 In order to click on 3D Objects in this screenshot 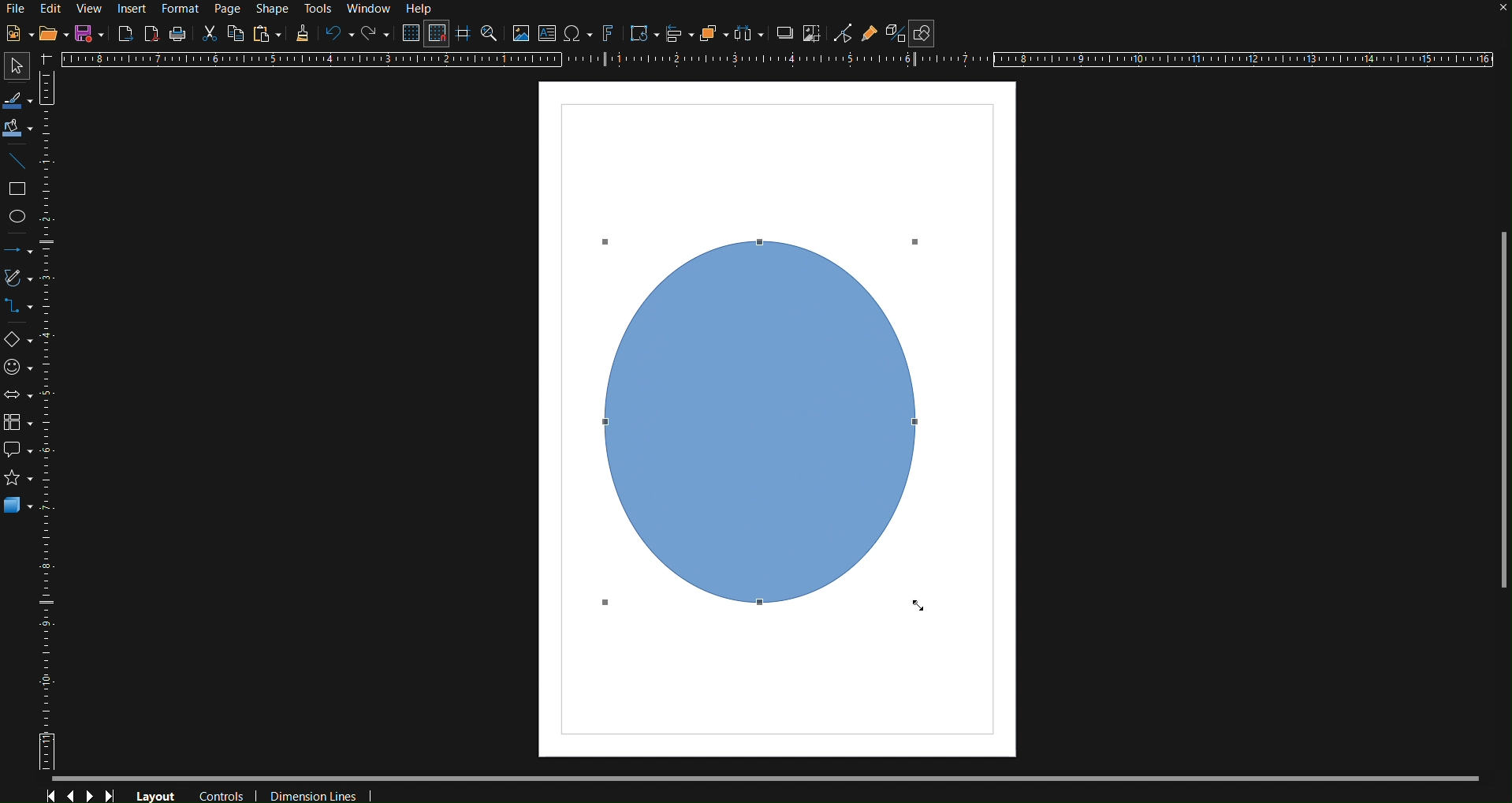, I will do `click(18, 505)`.